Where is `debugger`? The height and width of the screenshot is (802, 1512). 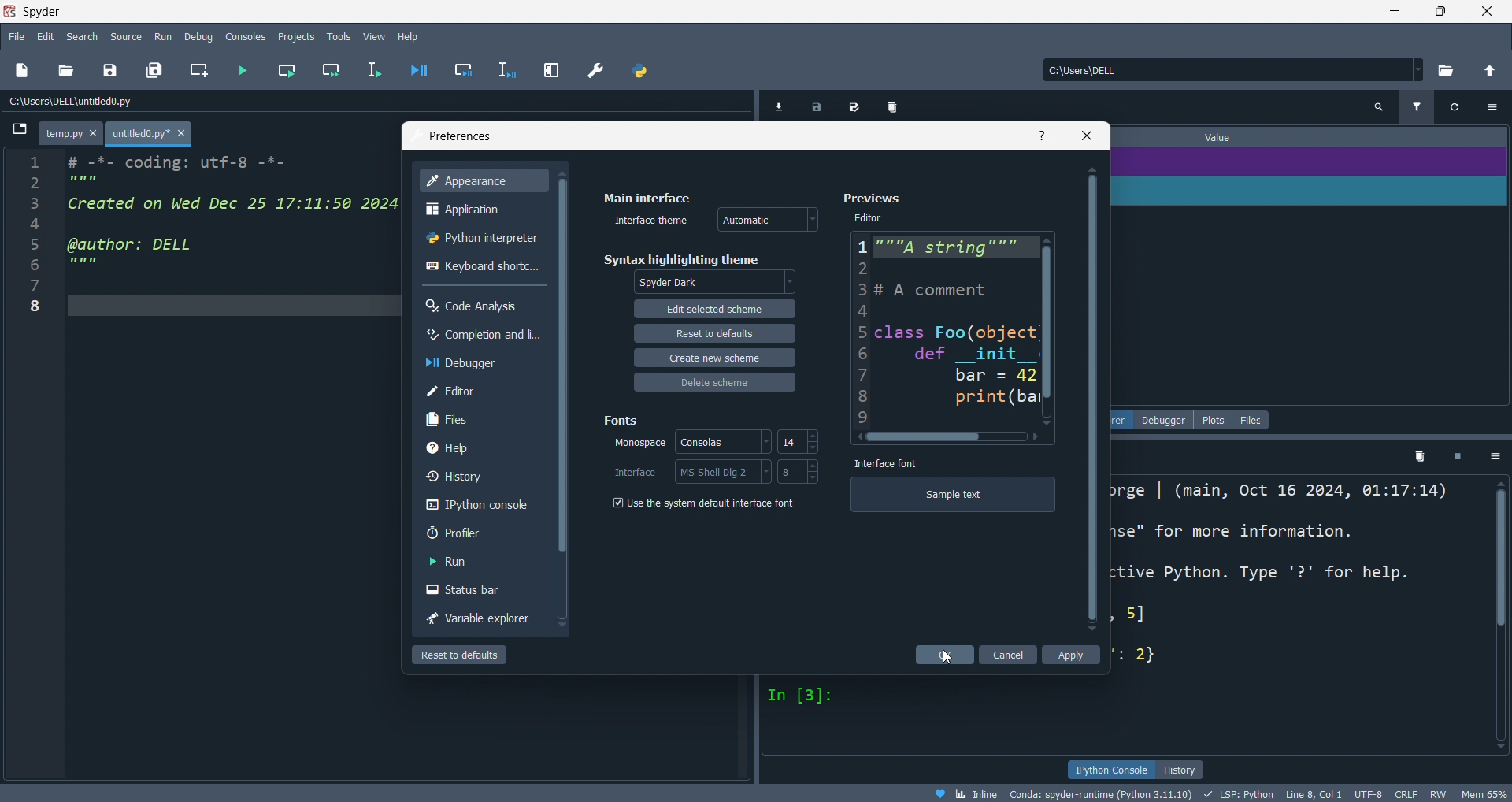
debugger is located at coordinates (1170, 419).